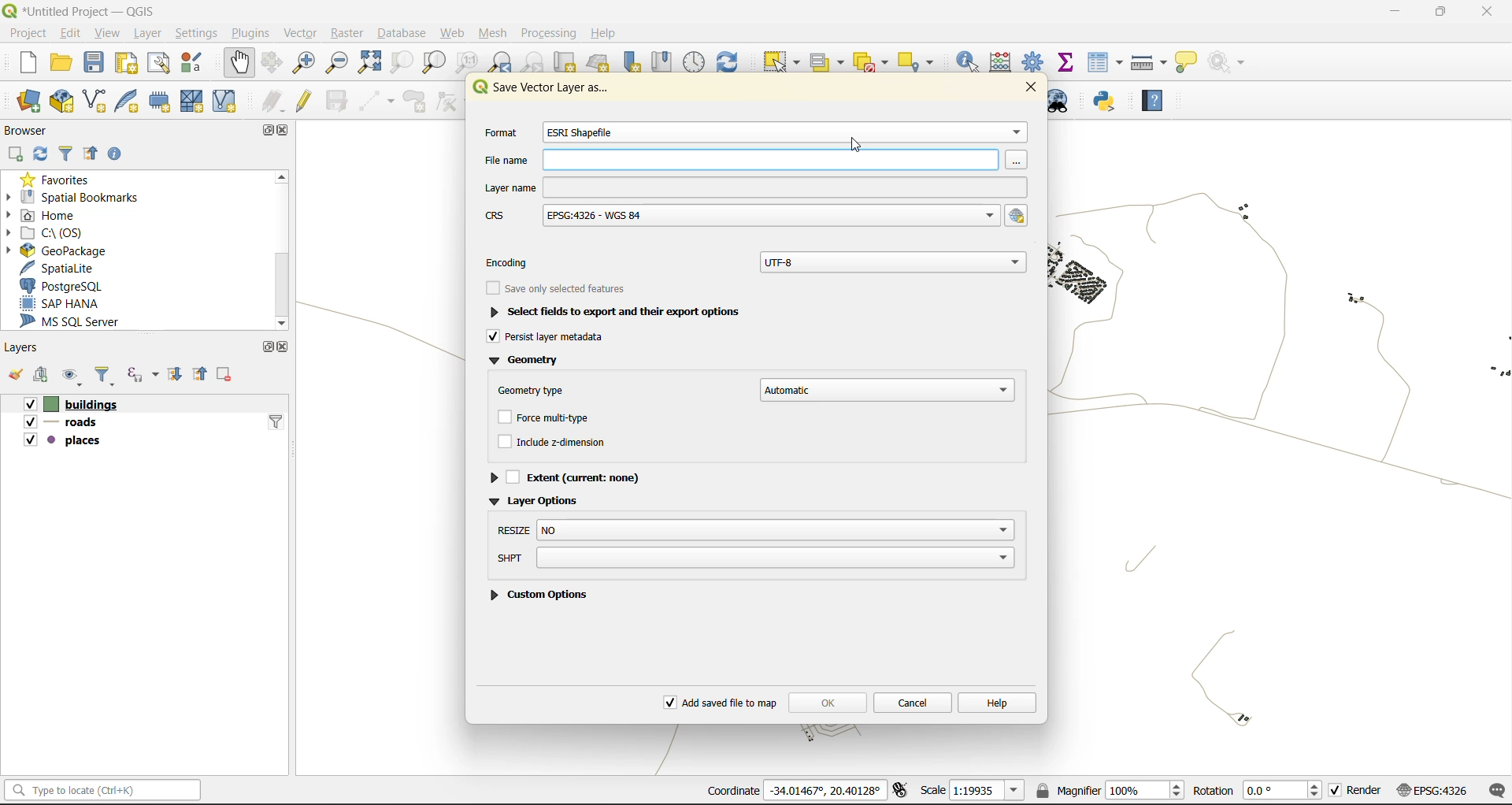 This screenshot has width=1512, height=805. What do you see at coordinates (754, 187) in the screenshot?
I see `layer name` at bounding box center [754, 187].